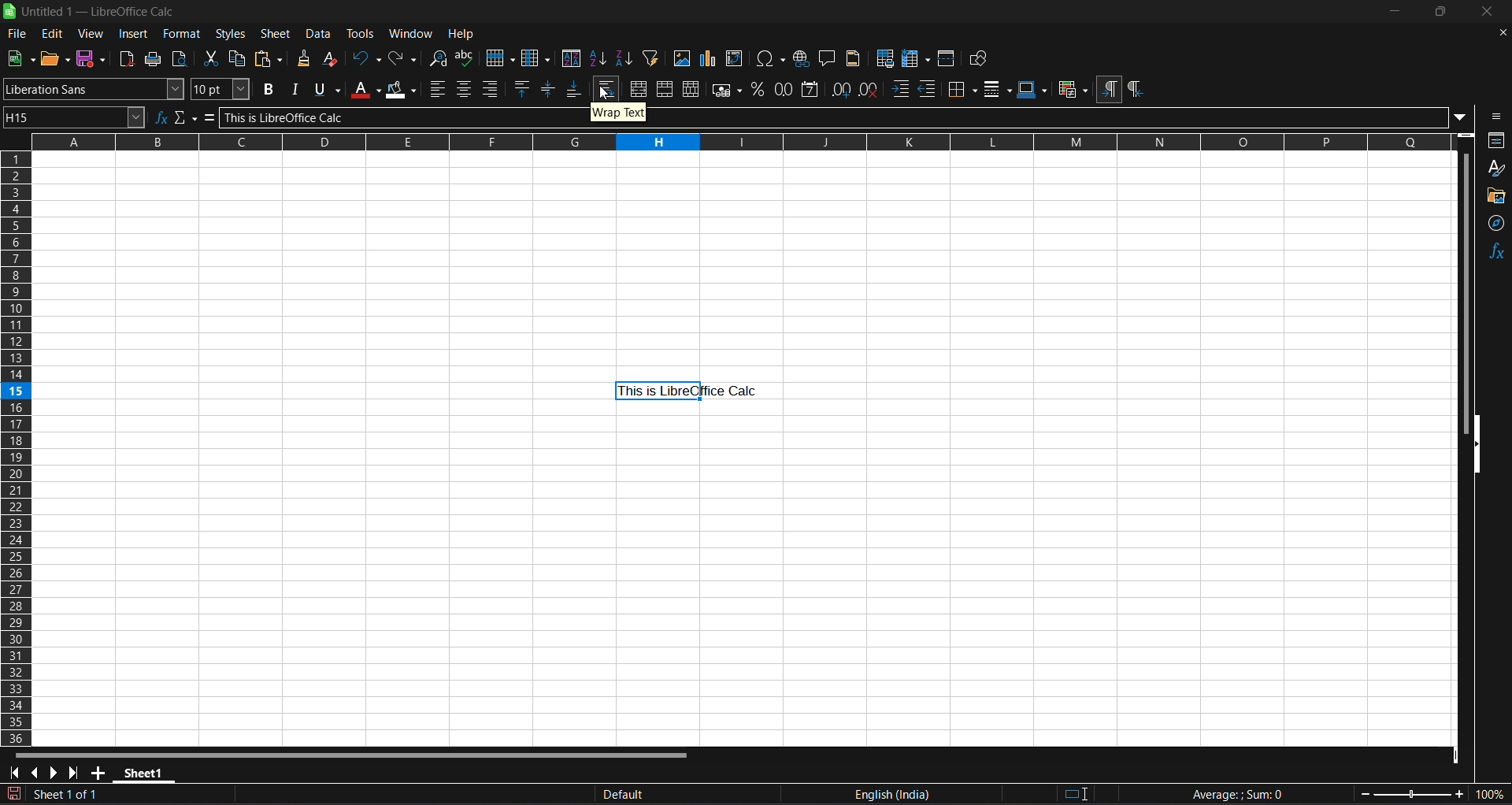 This screenshot has width=1512, height=805. What do you see at coordinates (523, 88) in the screenshot?
I see `align top` at bounding box center [523, 88].